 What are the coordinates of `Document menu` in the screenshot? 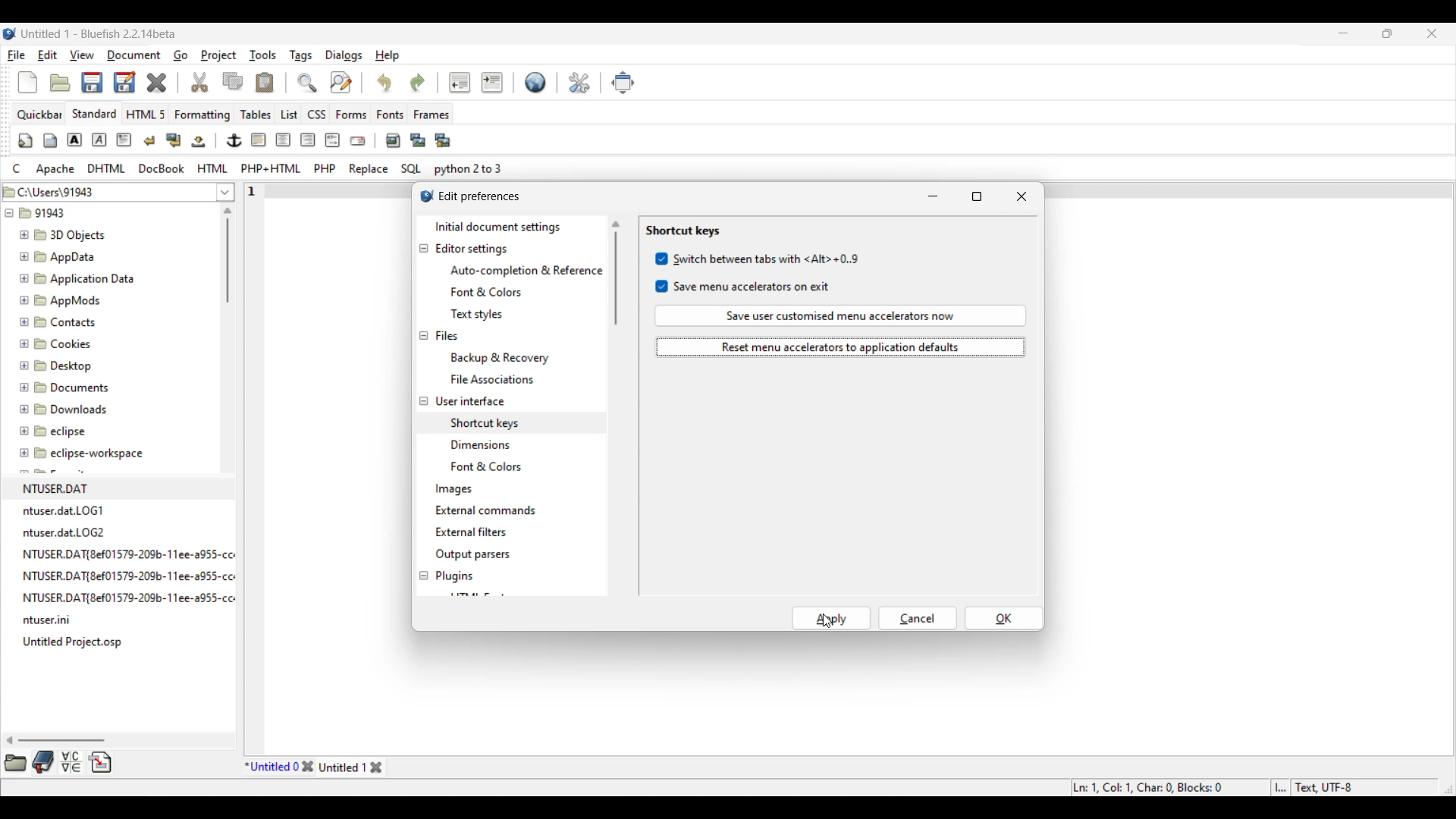 It's located at (134, 55).